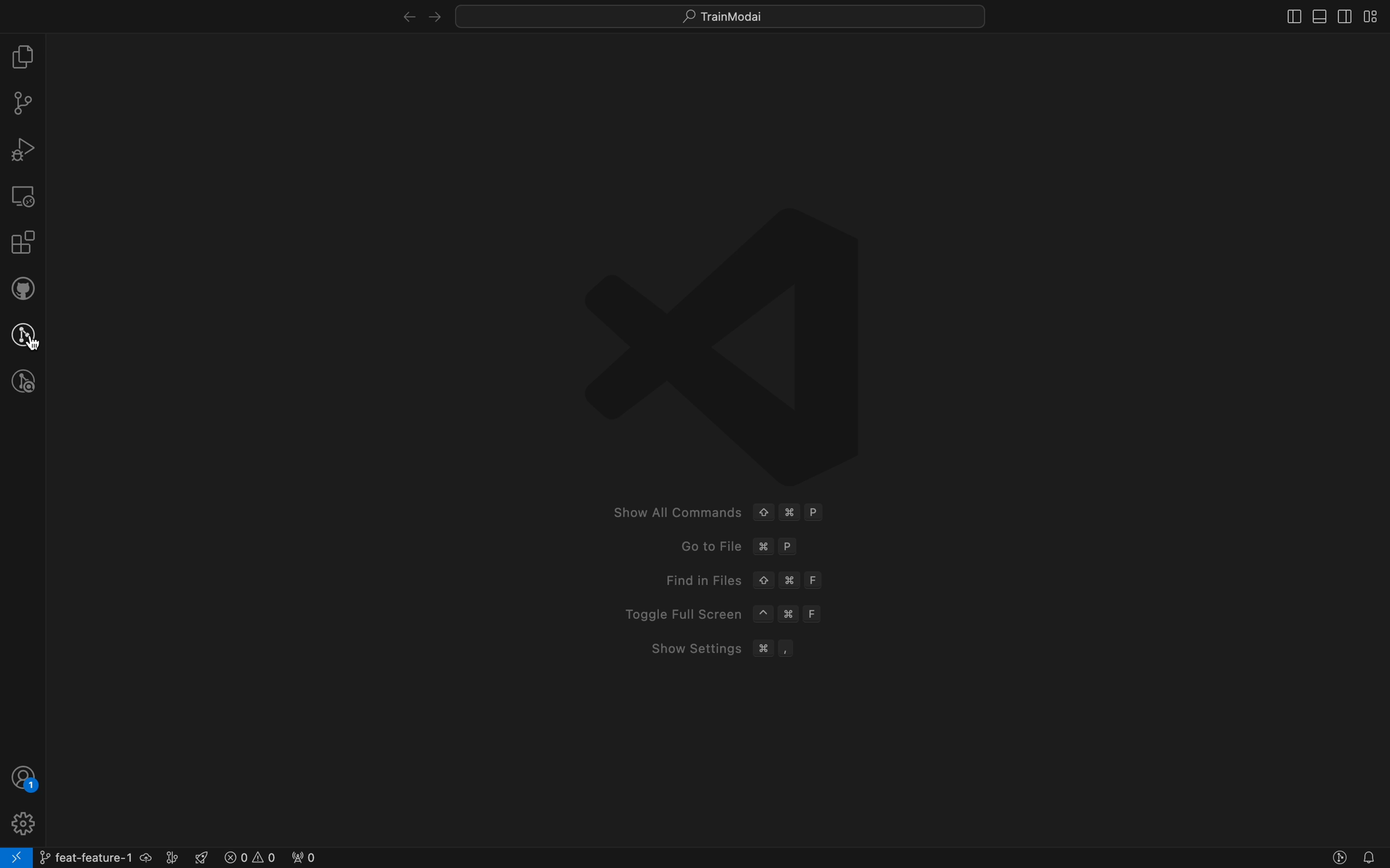  Describe the element at coordinates (22, 242) in the screenshot. I see `Extensions` at that location.